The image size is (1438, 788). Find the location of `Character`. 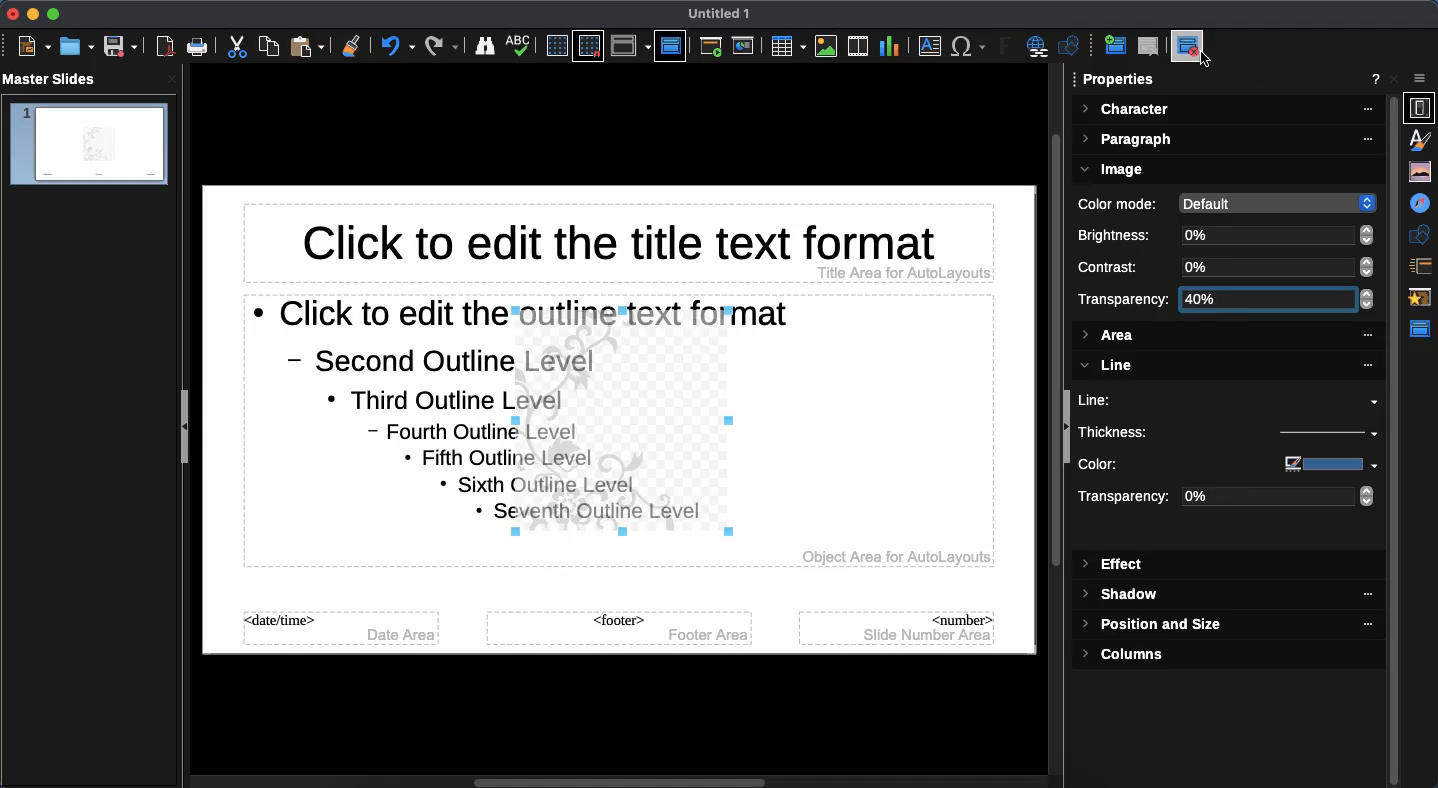

Character is located at coordinates (1228, 110).